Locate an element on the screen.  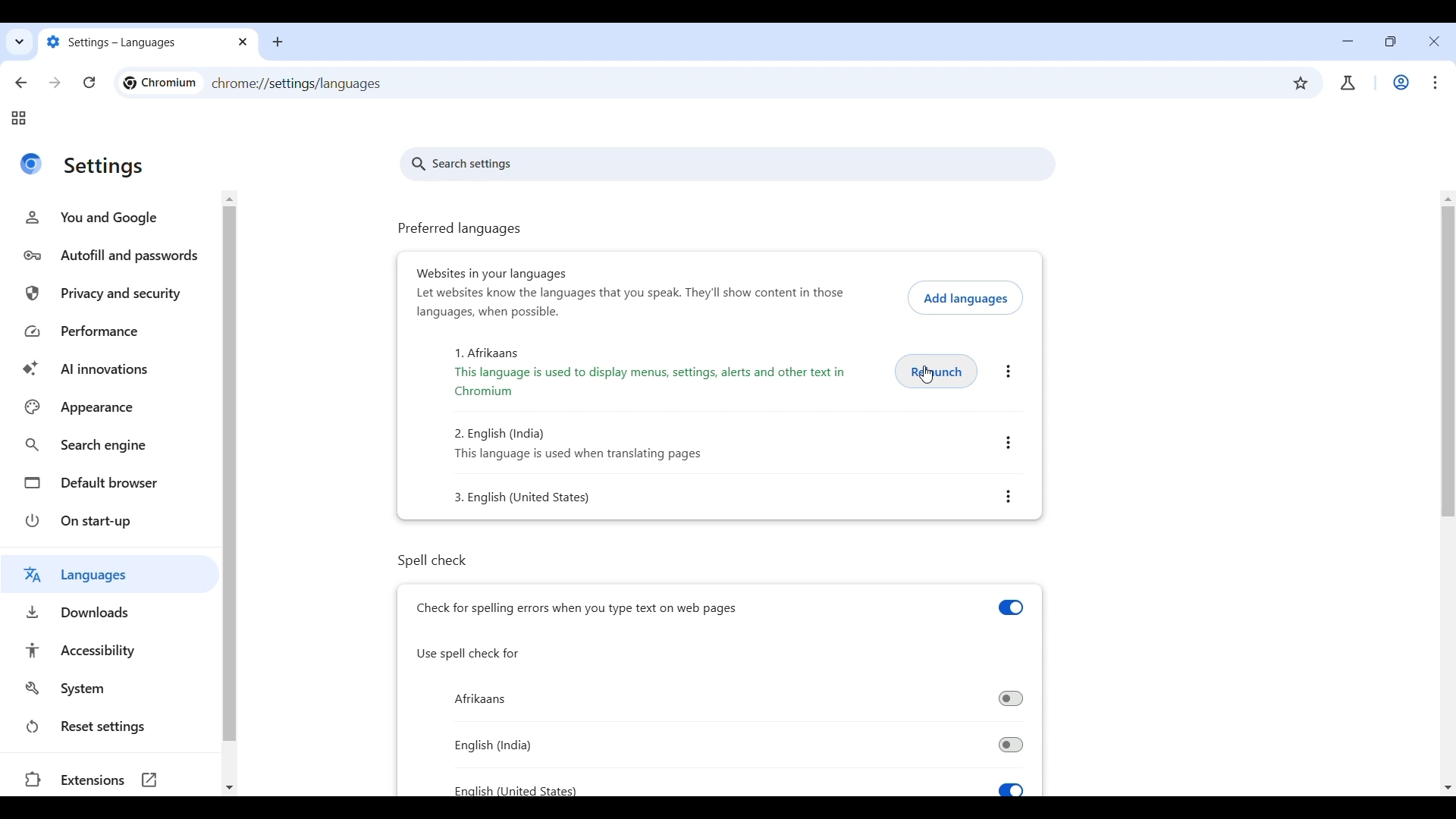
more options is located at coordinates (1007, 373).